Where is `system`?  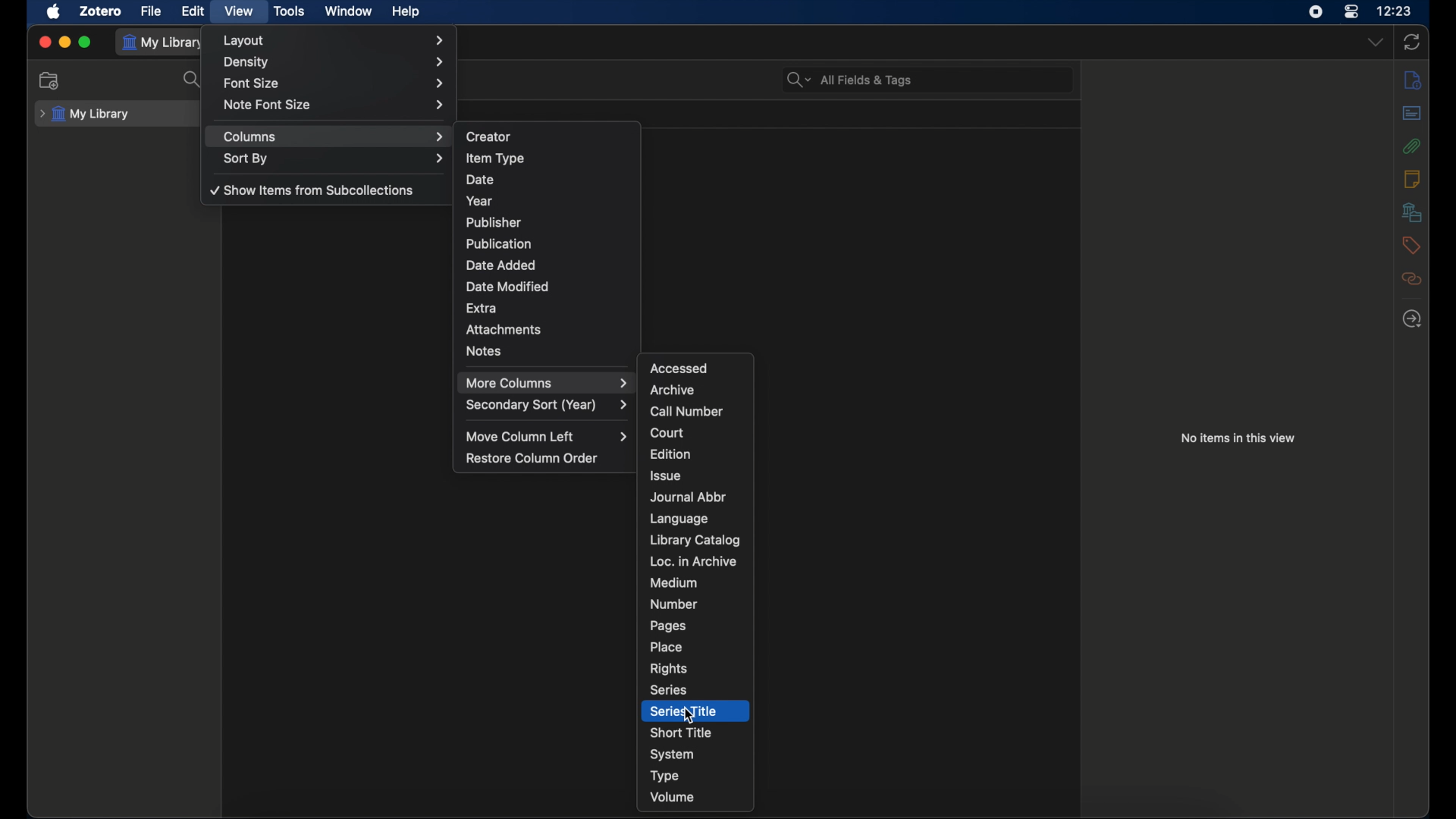
system is located at coordinates (673, 755).